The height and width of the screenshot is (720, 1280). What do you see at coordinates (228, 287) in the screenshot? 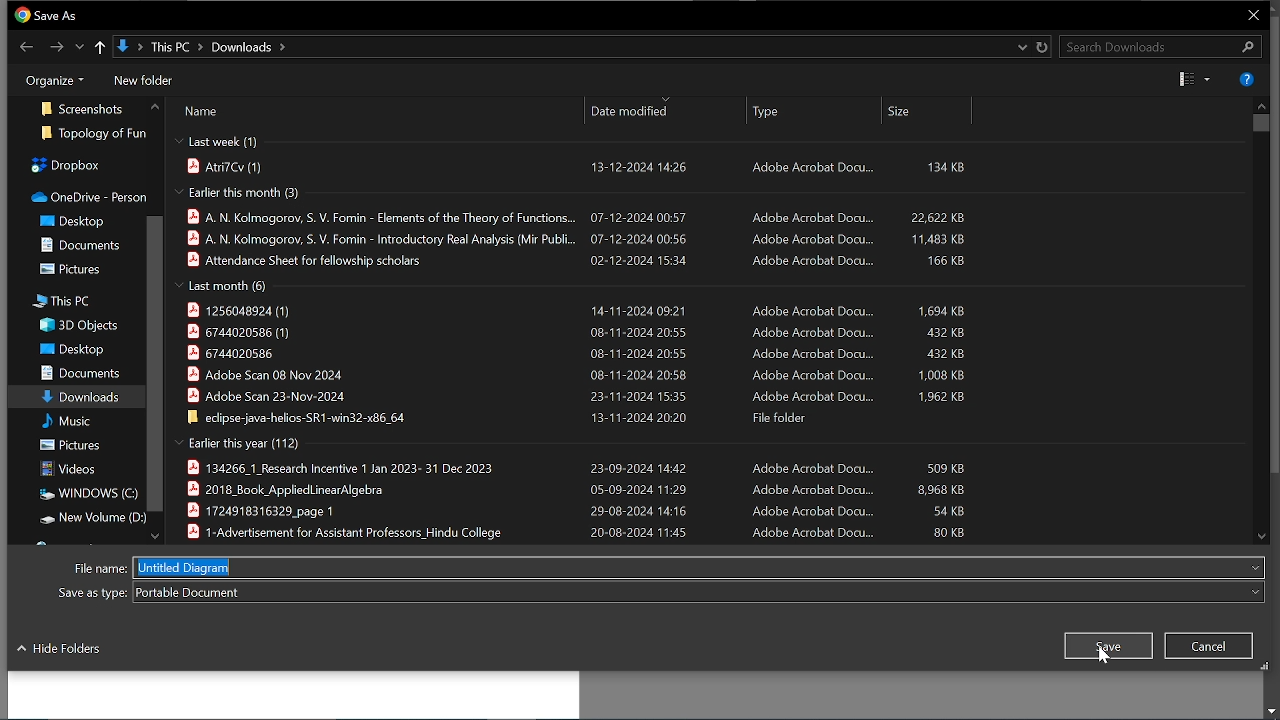
I see `last month (6)` at bounding box center [228, 287].